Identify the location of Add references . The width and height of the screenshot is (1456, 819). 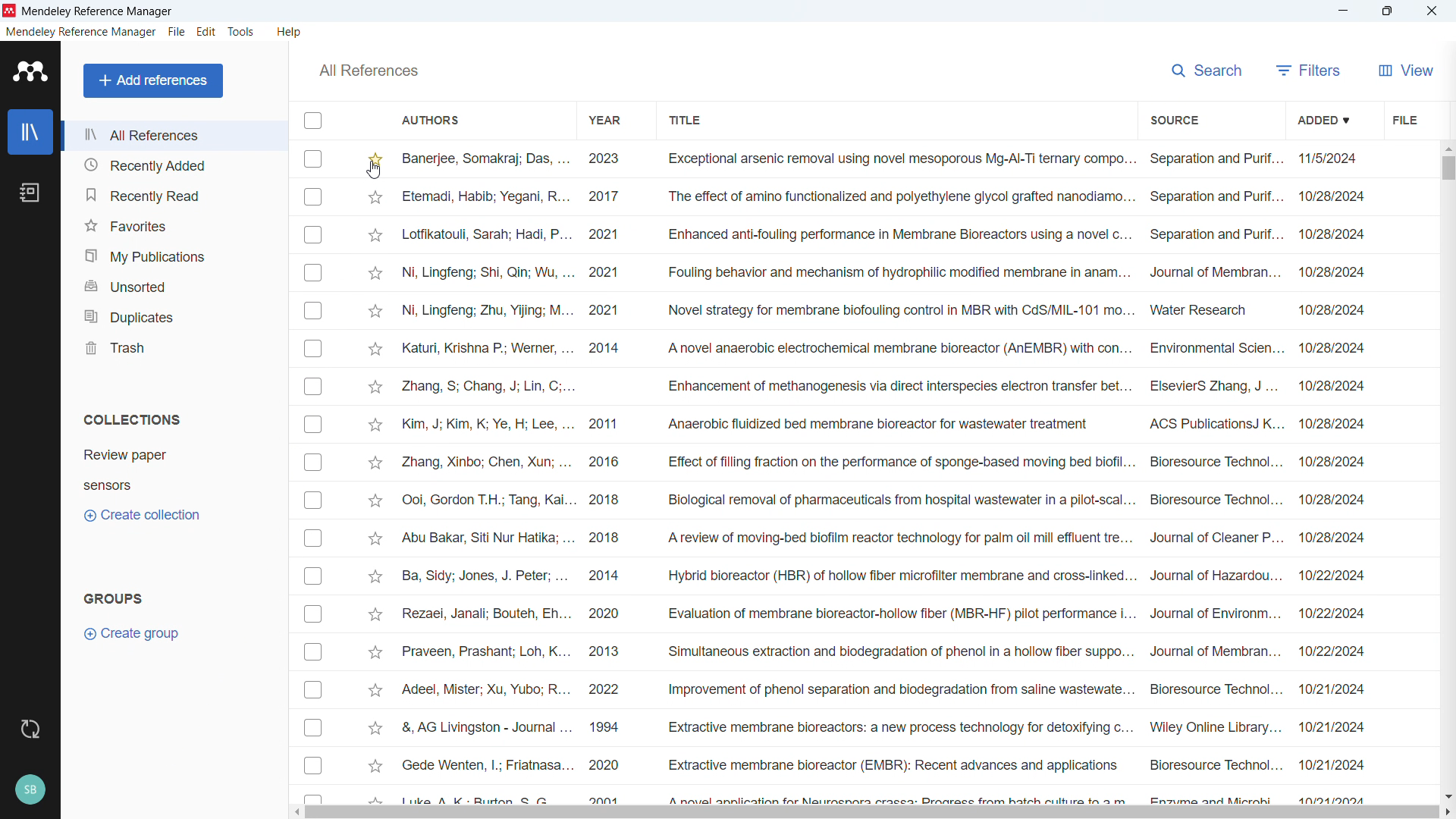
(153, 81).